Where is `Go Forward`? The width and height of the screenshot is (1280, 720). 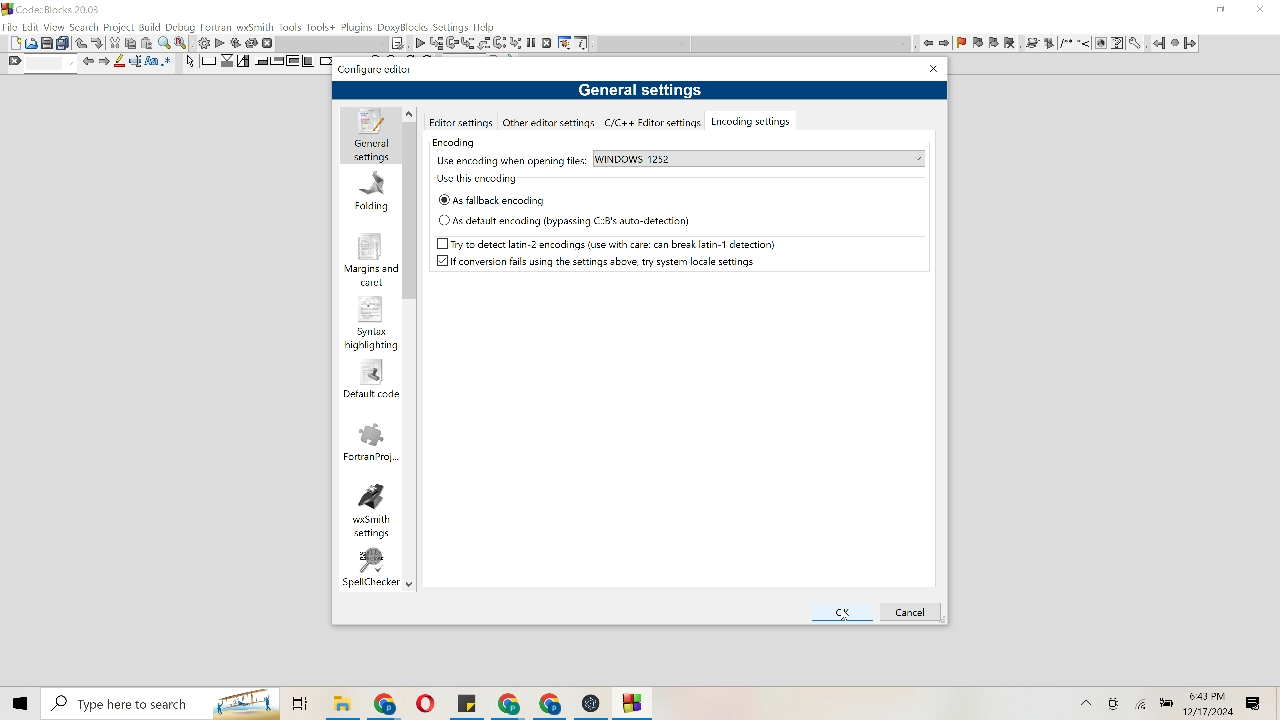 Go Forward is located at coordinates (1190, 43).